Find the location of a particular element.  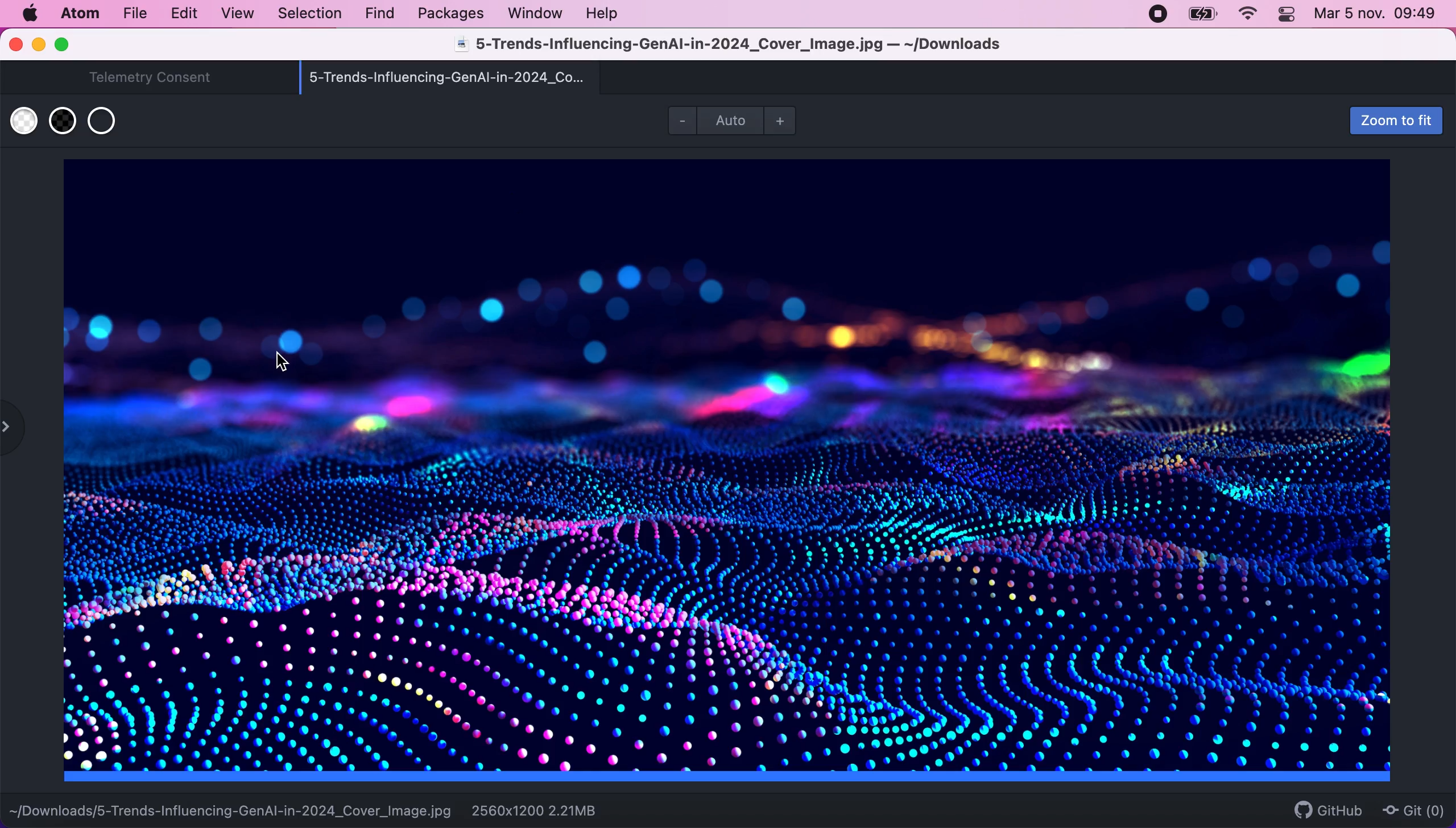

hide/show is located at coordinates (17, 432).